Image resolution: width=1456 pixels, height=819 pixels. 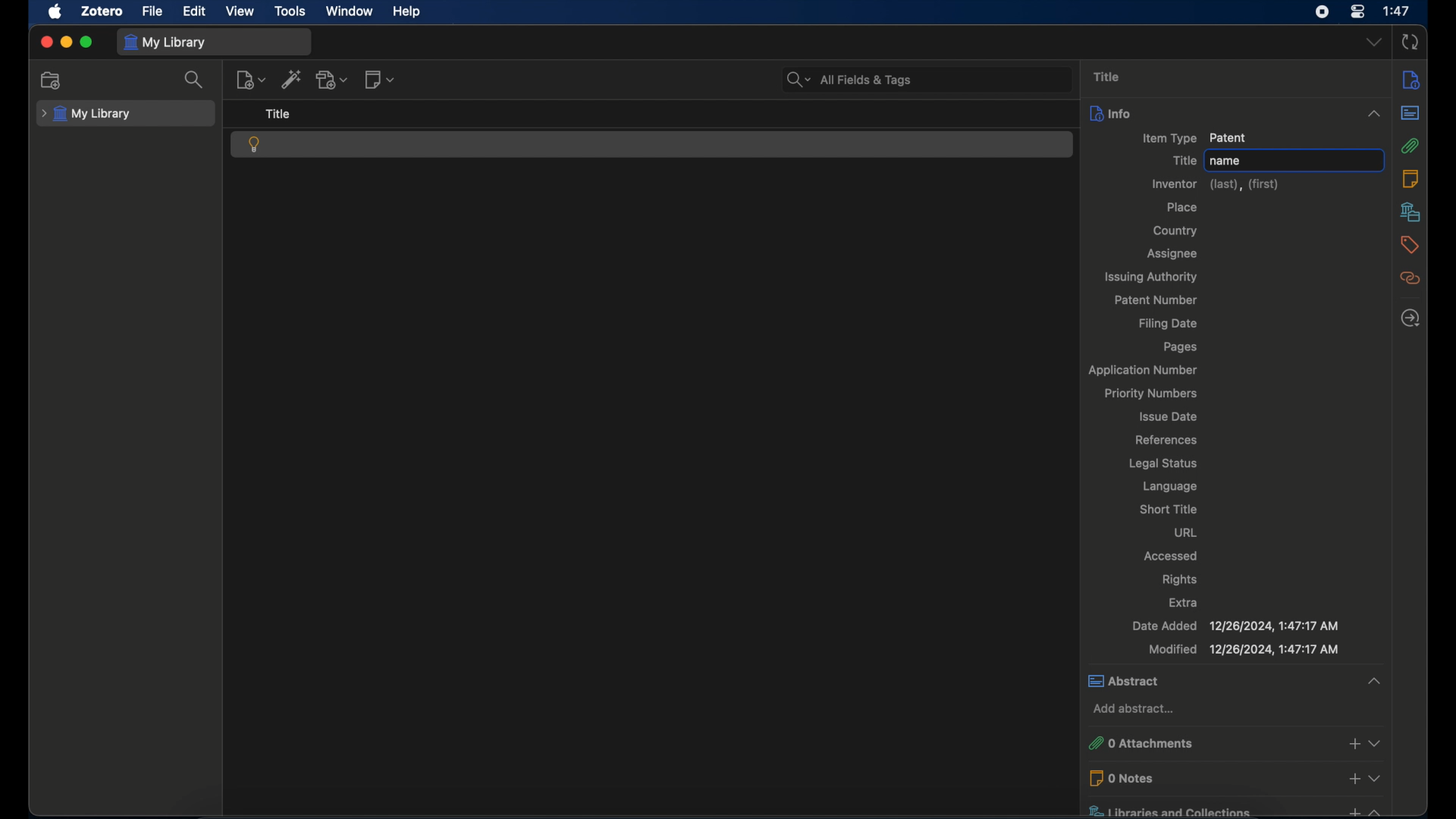 What do you see at coordinates (1171, 255) in the screenshot?
I see `assignee` at bounding box center [1171, 255].